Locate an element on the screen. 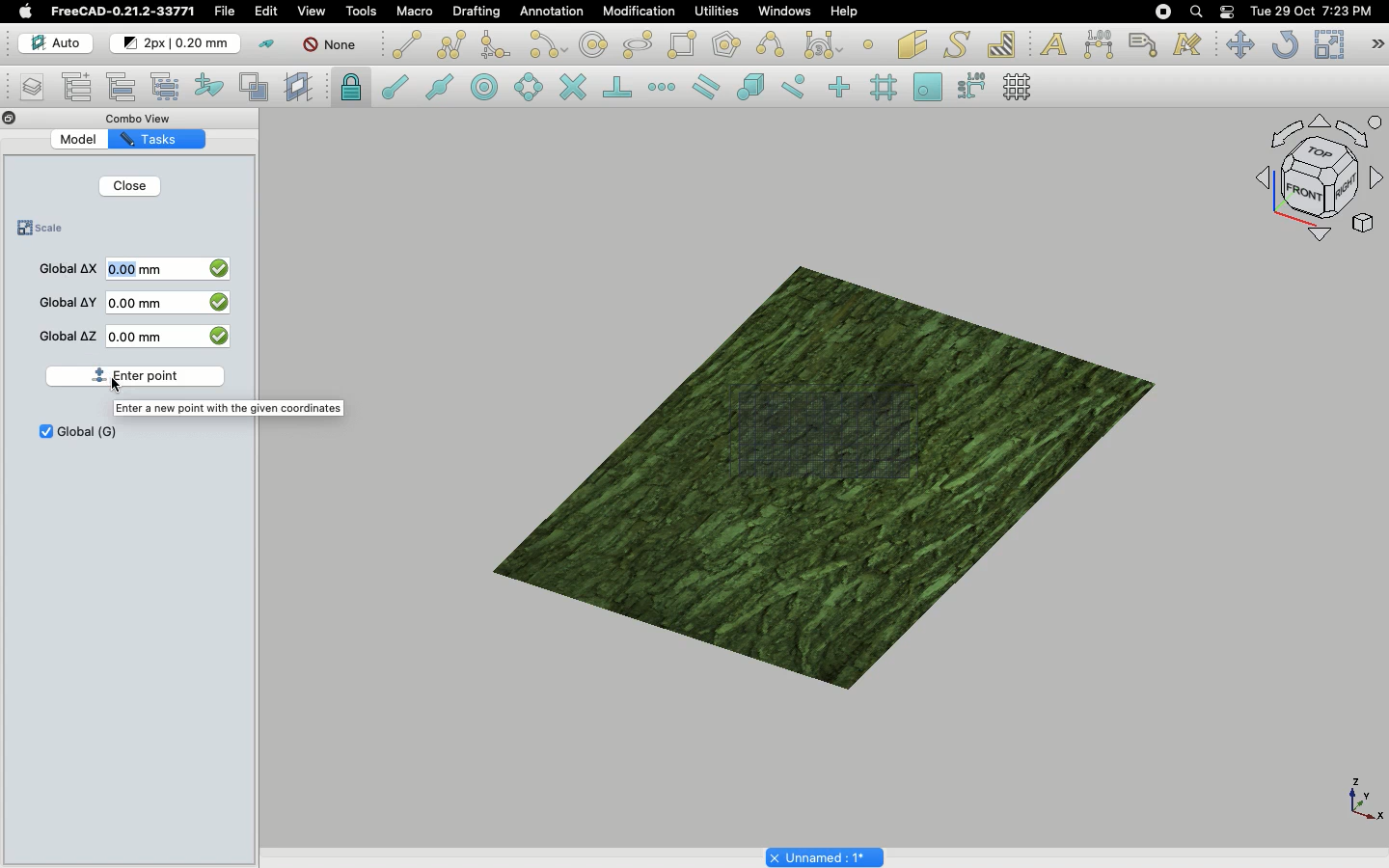  Help is located at coordinates (845, 10).